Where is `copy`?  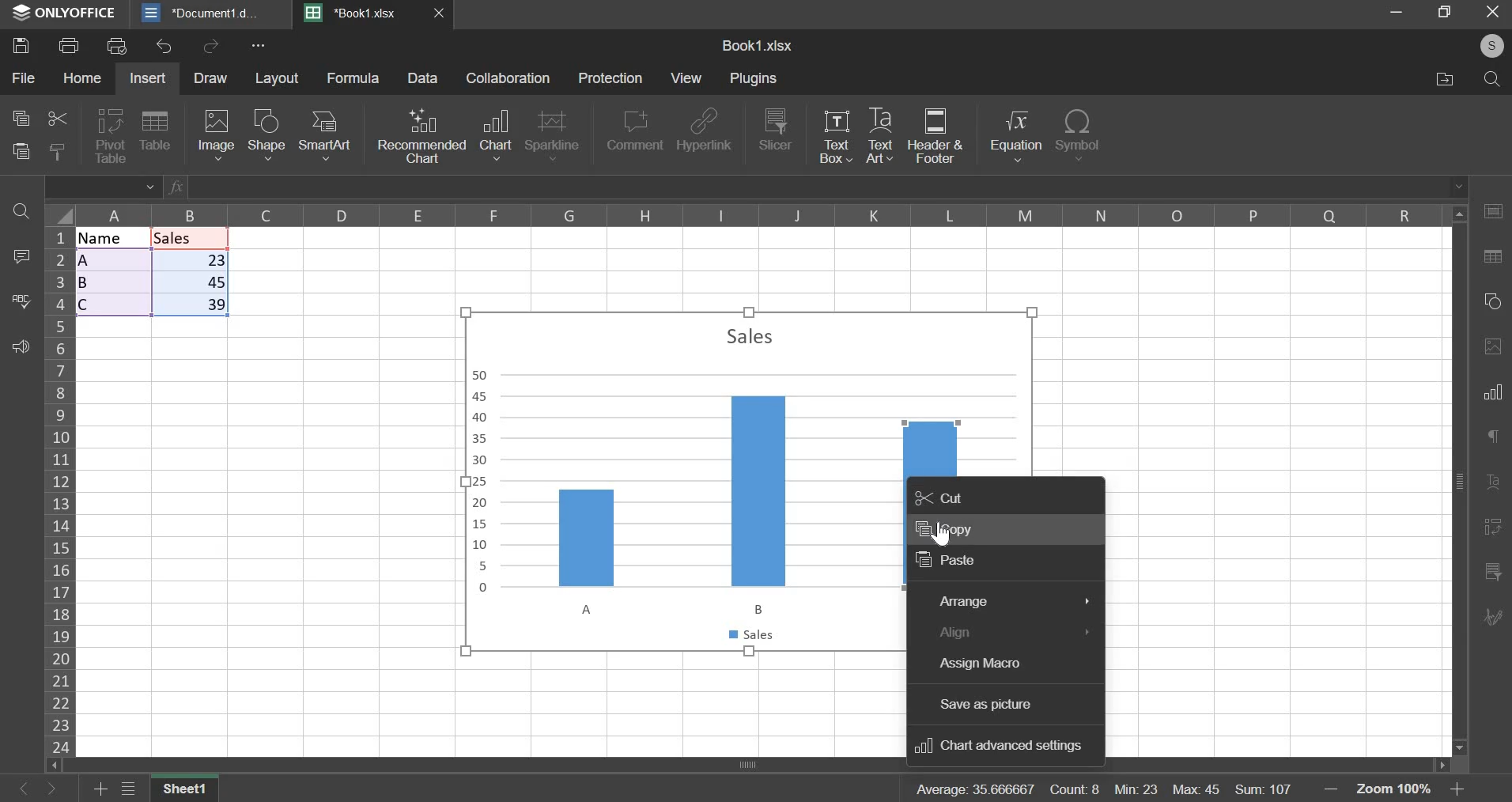 copy is located at coordinates (949, 531).